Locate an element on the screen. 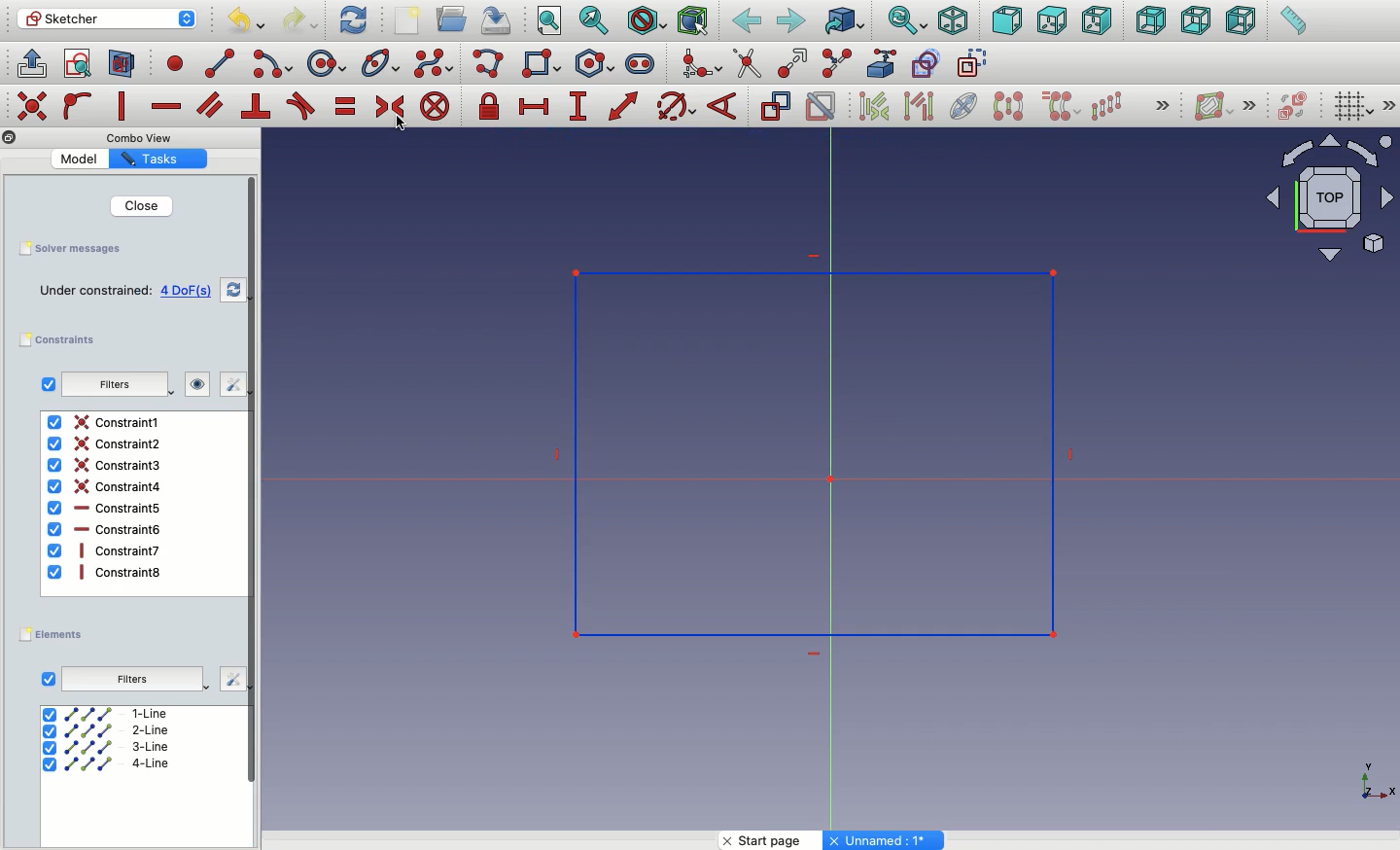 The width and height of the screenshot is (1400, 850). Rectangle is located at coordinates (863, 434).